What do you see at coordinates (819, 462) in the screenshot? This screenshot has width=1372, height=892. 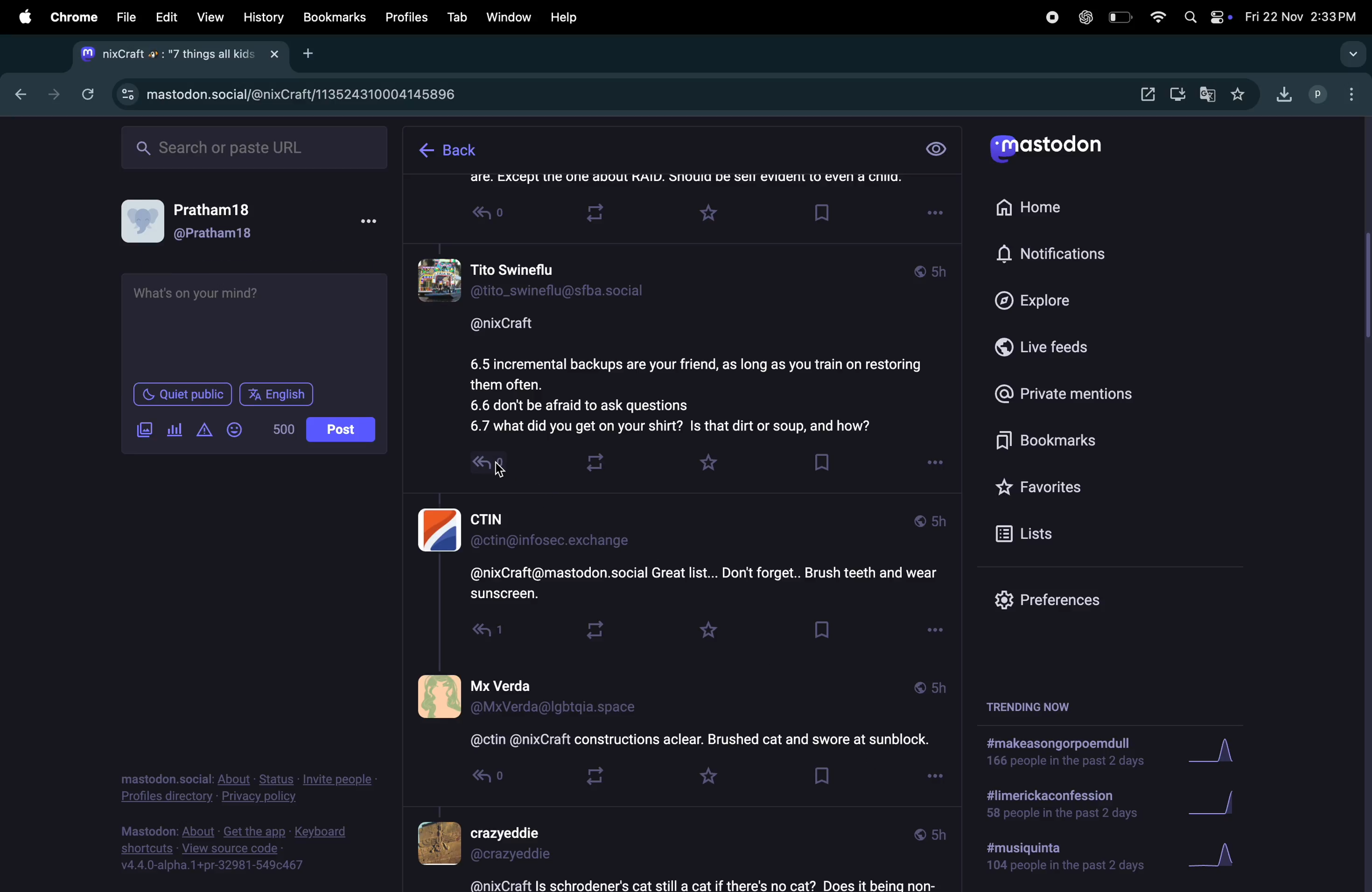 I see `book mark` at bounding box center [819, 462].